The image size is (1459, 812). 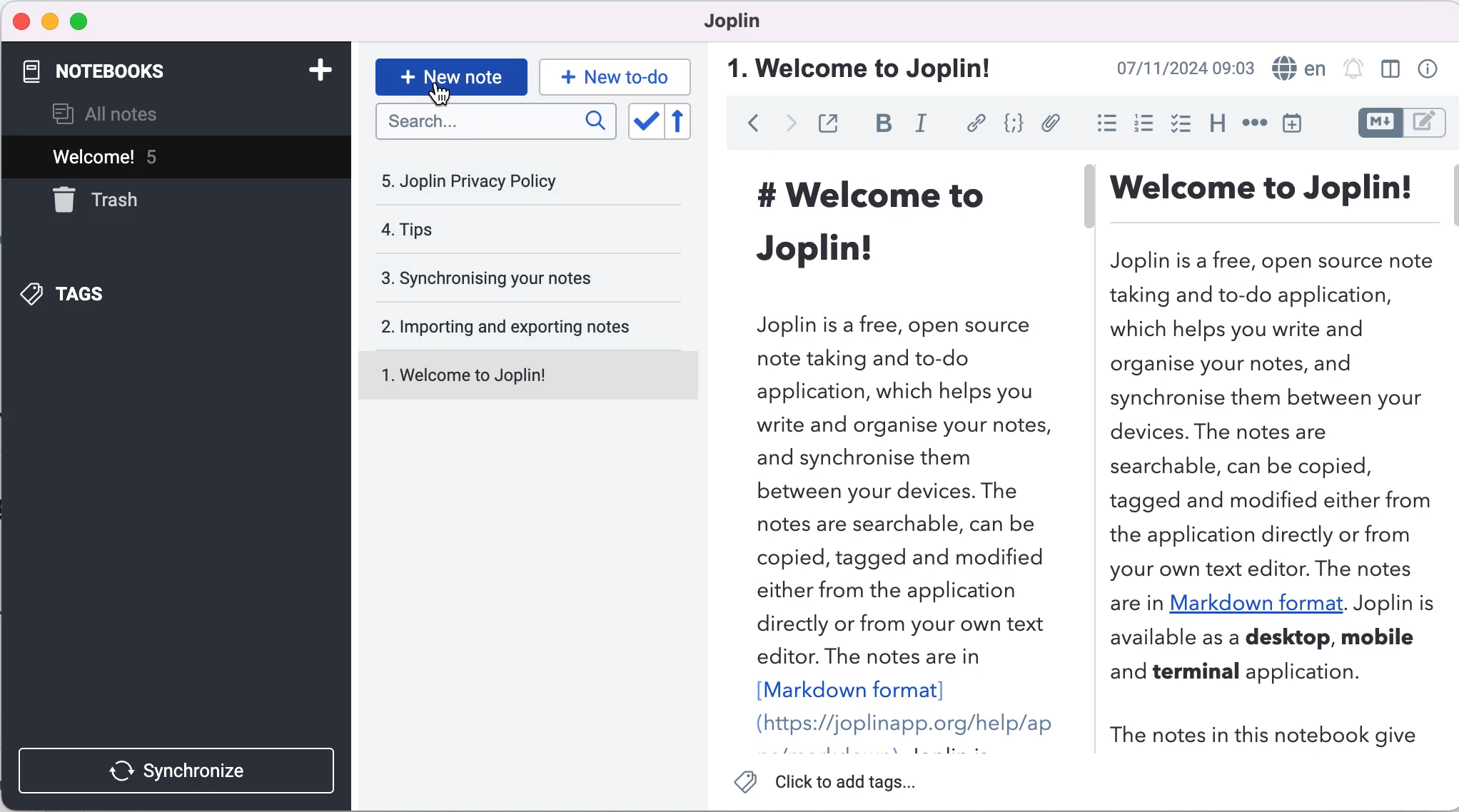 I want to click on welcome to joplin, so click(x=532, y=375).